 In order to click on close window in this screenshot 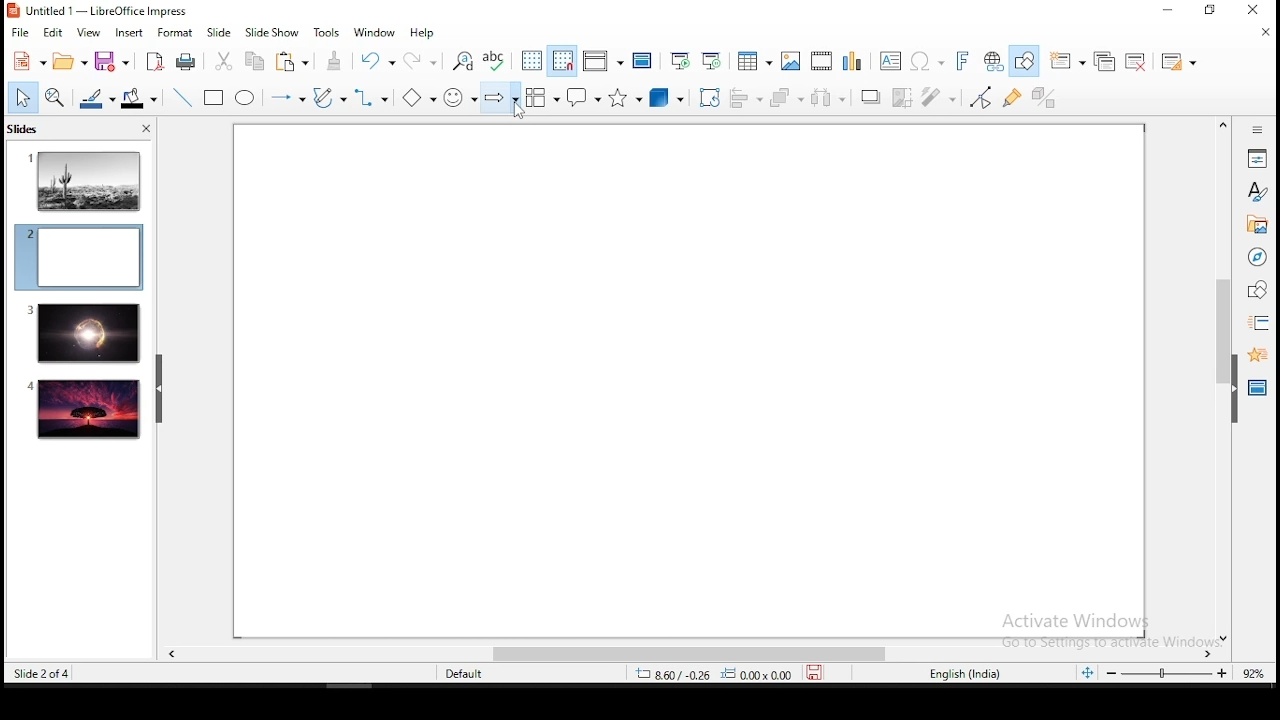, I will do `click(1257, 11)`.